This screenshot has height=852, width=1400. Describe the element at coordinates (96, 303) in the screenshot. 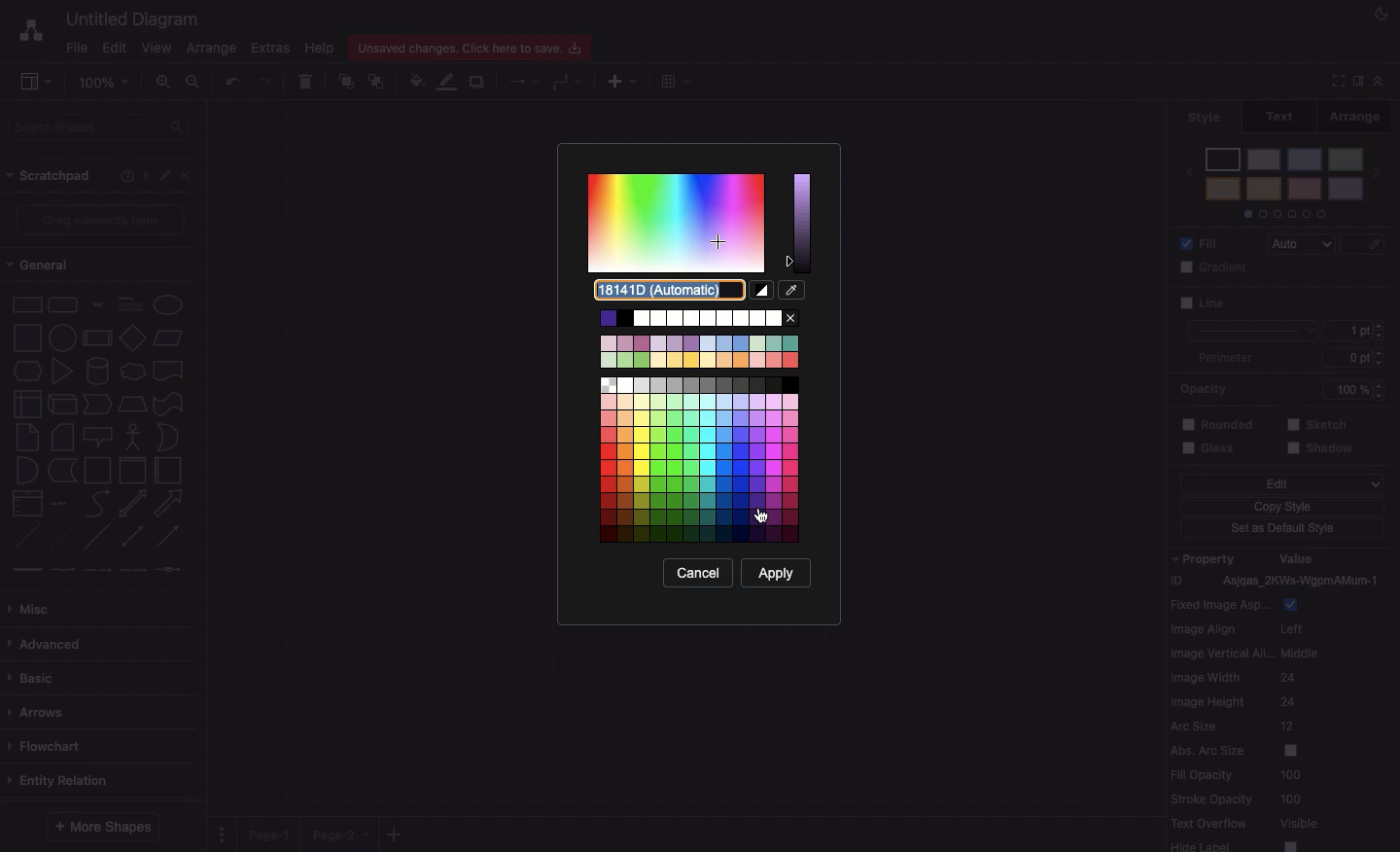

I see `text` at that location.